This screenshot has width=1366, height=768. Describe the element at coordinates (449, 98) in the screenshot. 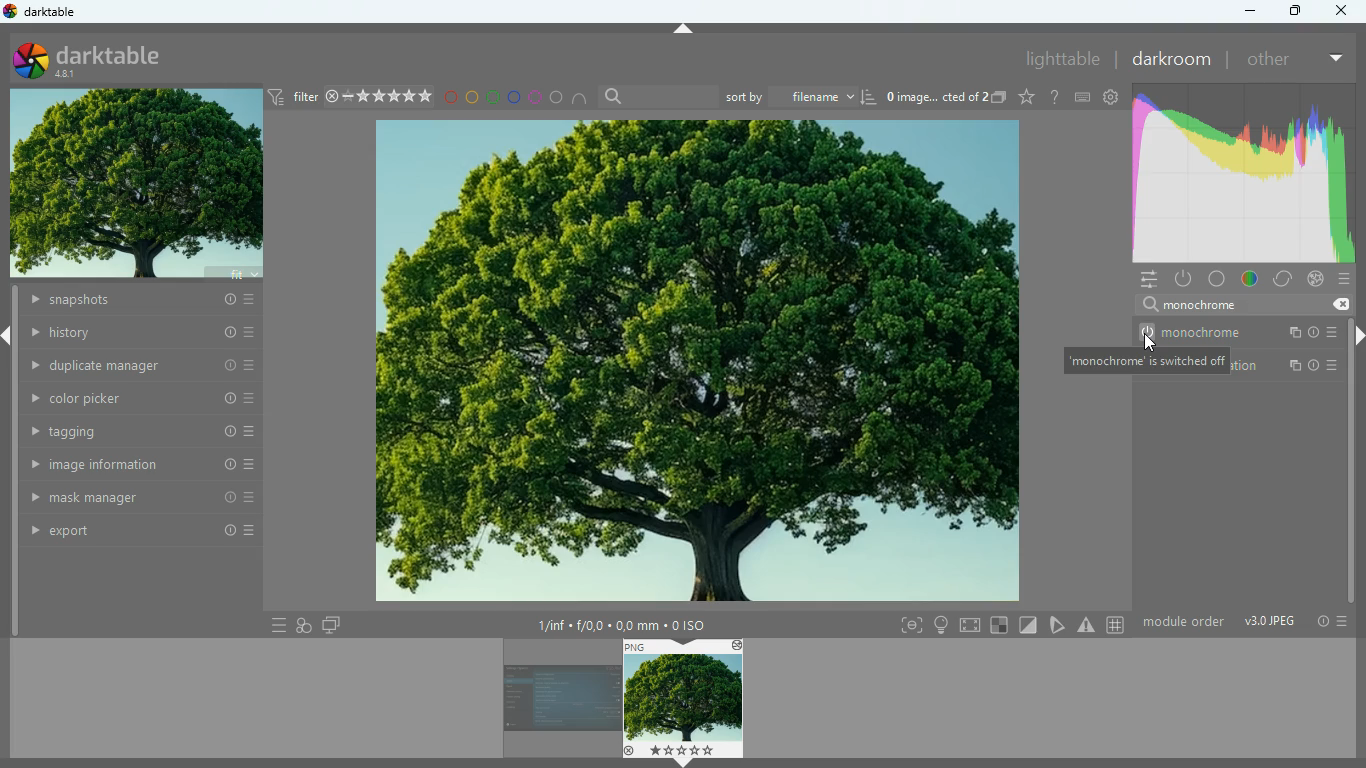

I see `red` at that location.